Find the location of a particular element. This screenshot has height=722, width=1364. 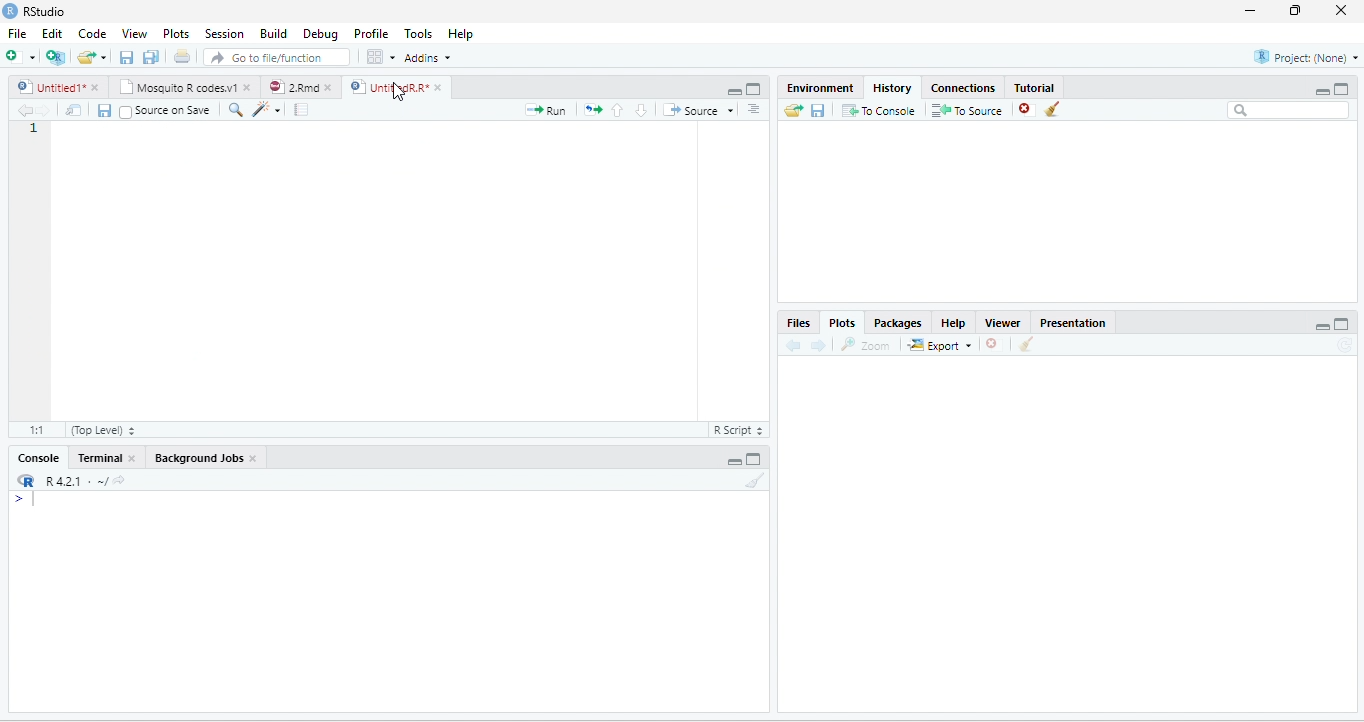

Show in new window is located at coordinates (75, 111).